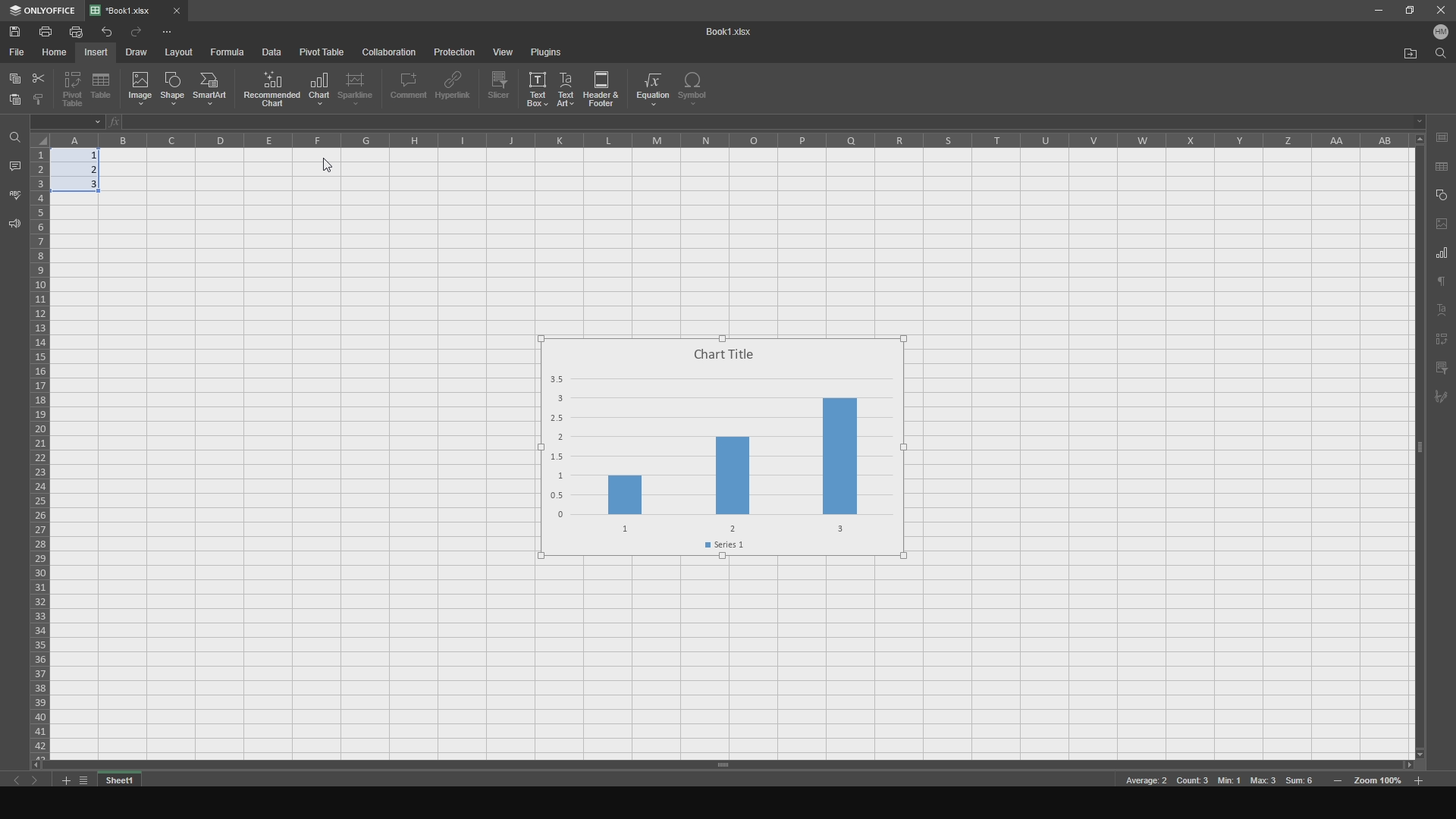  What do you see at coordinates (1219, 782) in the screenshot?
I see `meta data` at bounding box center [1219, 782].